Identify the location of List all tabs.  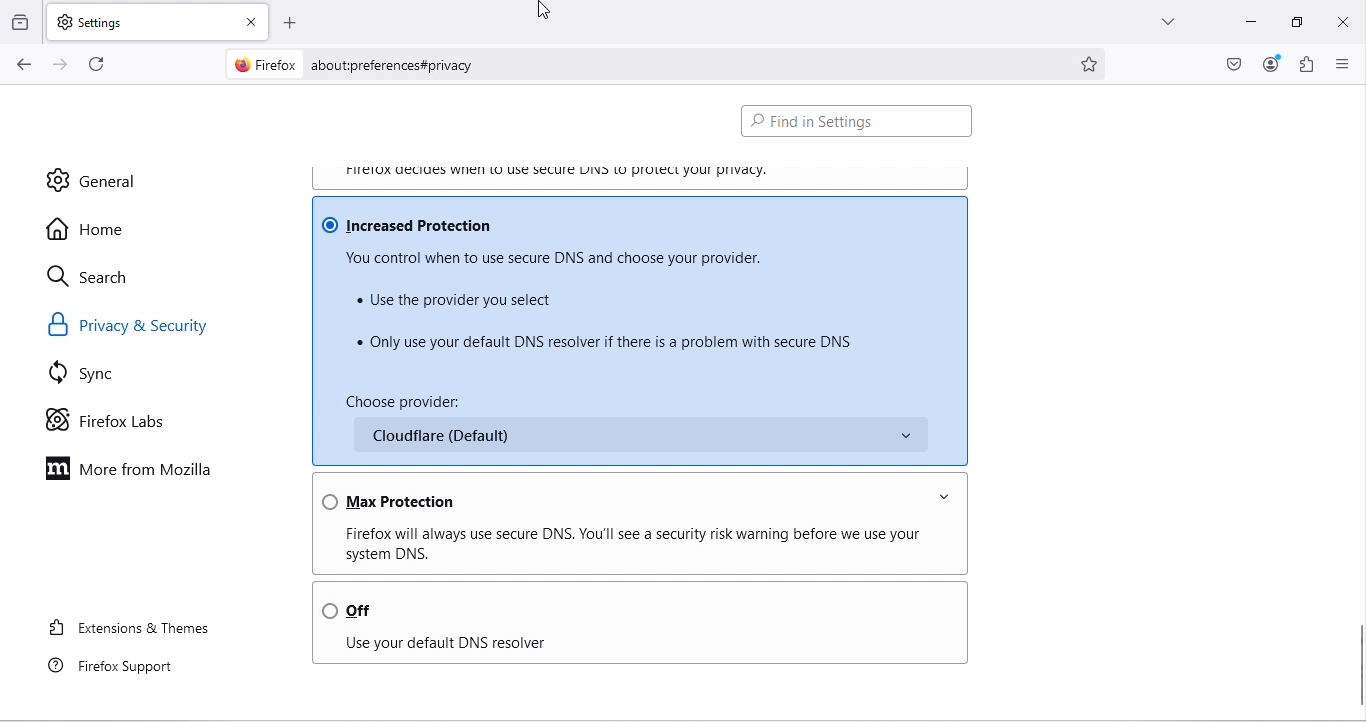
(1167, 25).